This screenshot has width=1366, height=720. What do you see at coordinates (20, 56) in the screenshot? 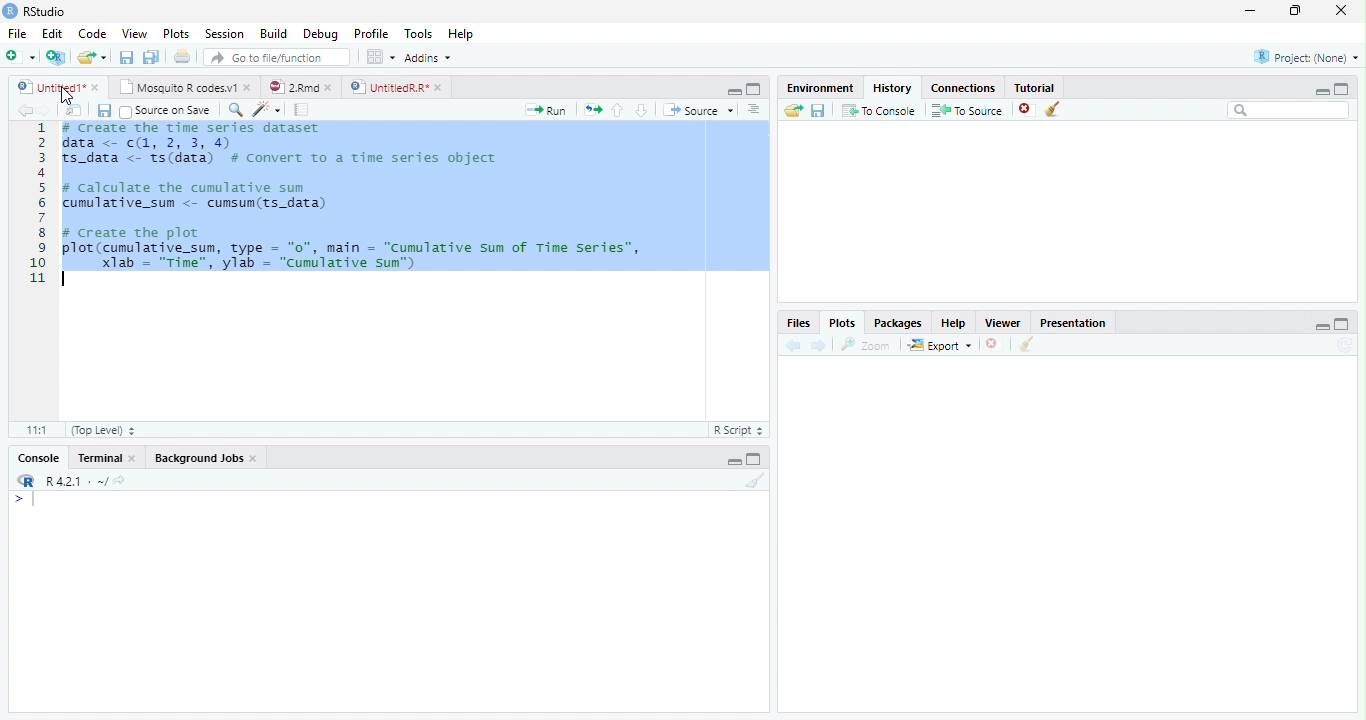
I see `New file` at bounding box center [20, 56].